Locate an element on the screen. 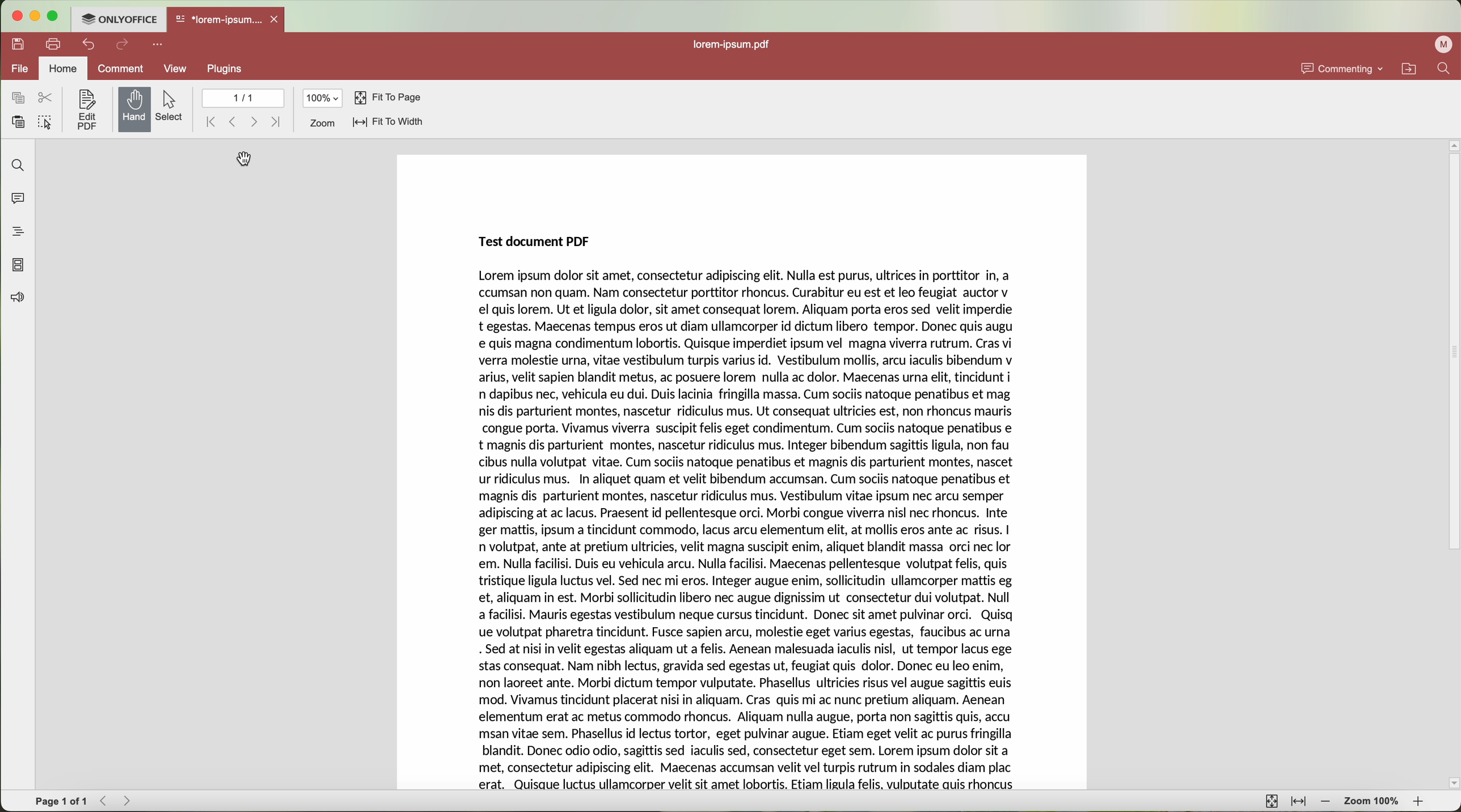 The height and width of the screenshot is (812, 1461). Page 1 of 1 is located at coordinates (60, 801).